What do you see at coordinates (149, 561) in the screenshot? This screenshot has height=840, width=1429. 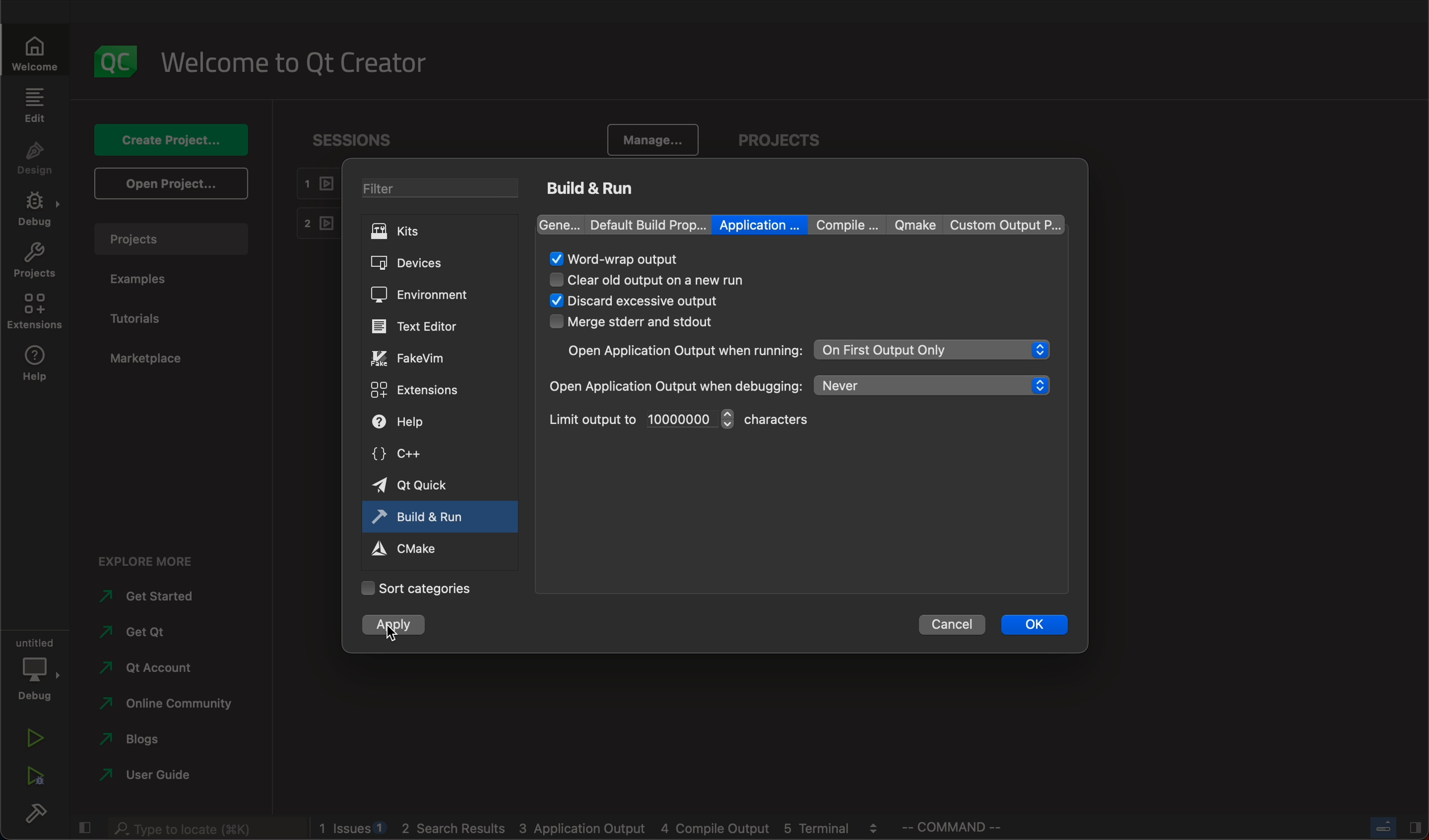 I see `explore` at bounding box center [149, 561].